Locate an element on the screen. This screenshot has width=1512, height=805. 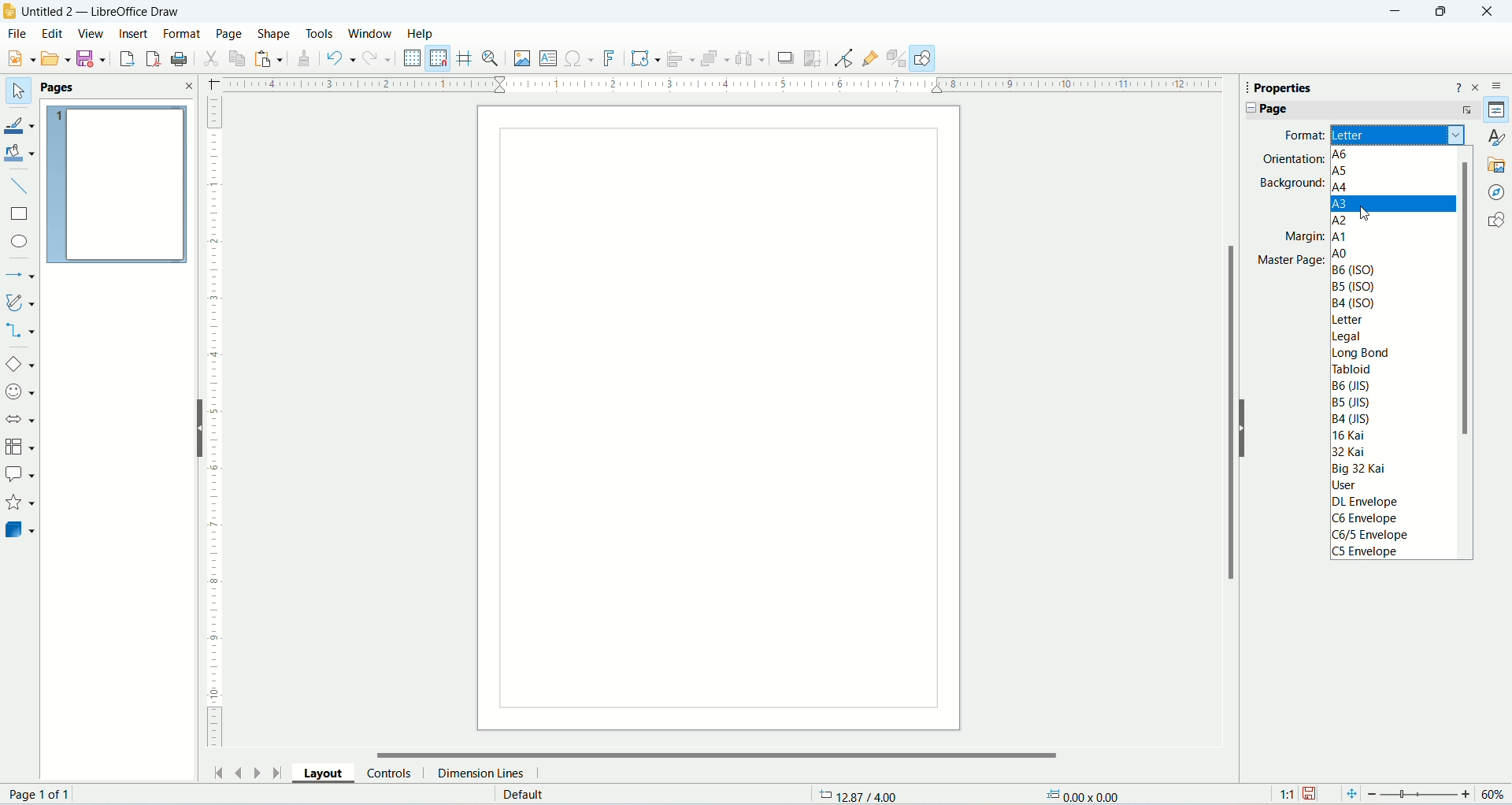
tools is located at coordinates (322, 35).